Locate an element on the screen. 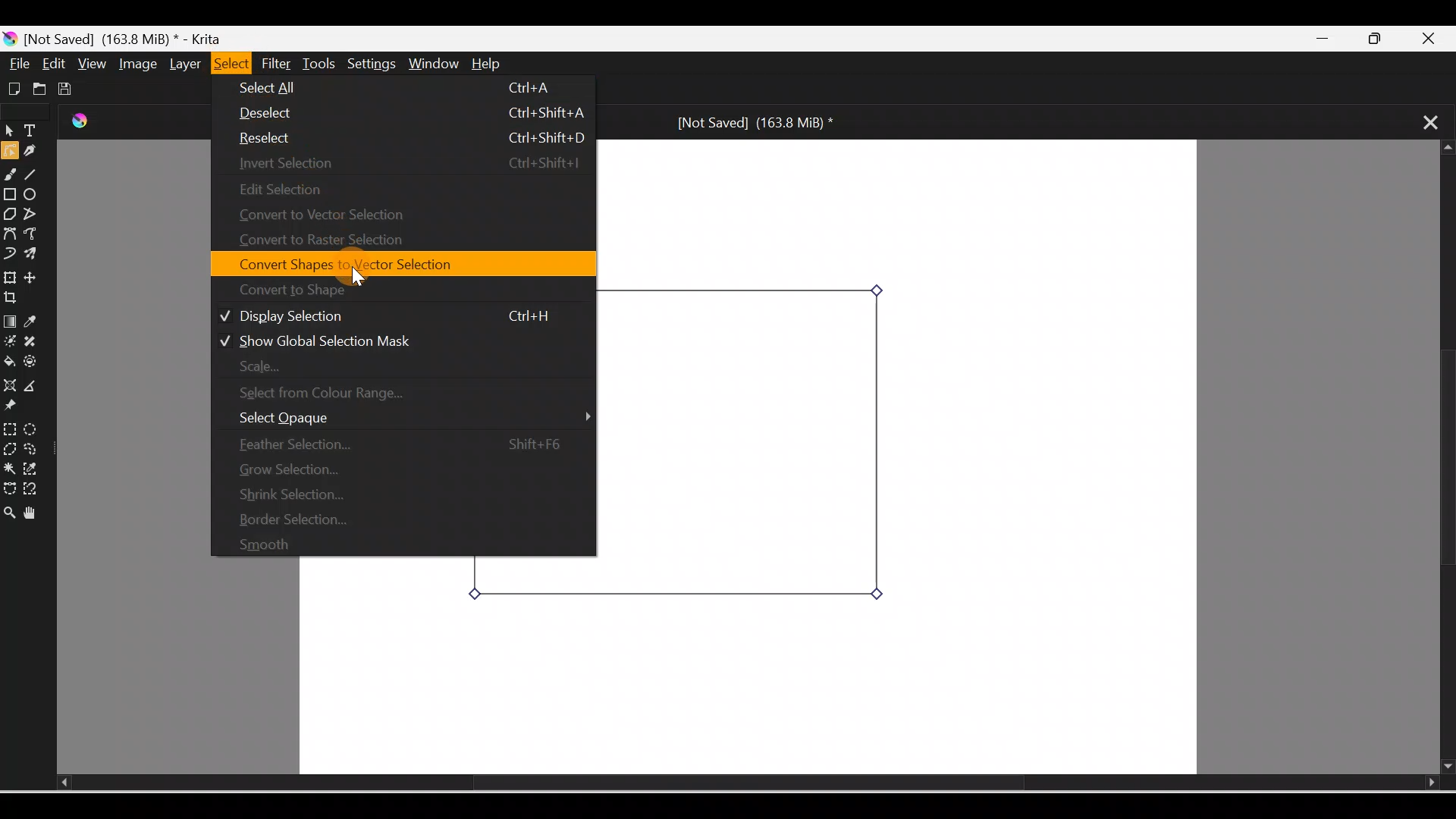 The image size is (1456, 819). Transform a layer/selection is located at coordinates (10, 275).